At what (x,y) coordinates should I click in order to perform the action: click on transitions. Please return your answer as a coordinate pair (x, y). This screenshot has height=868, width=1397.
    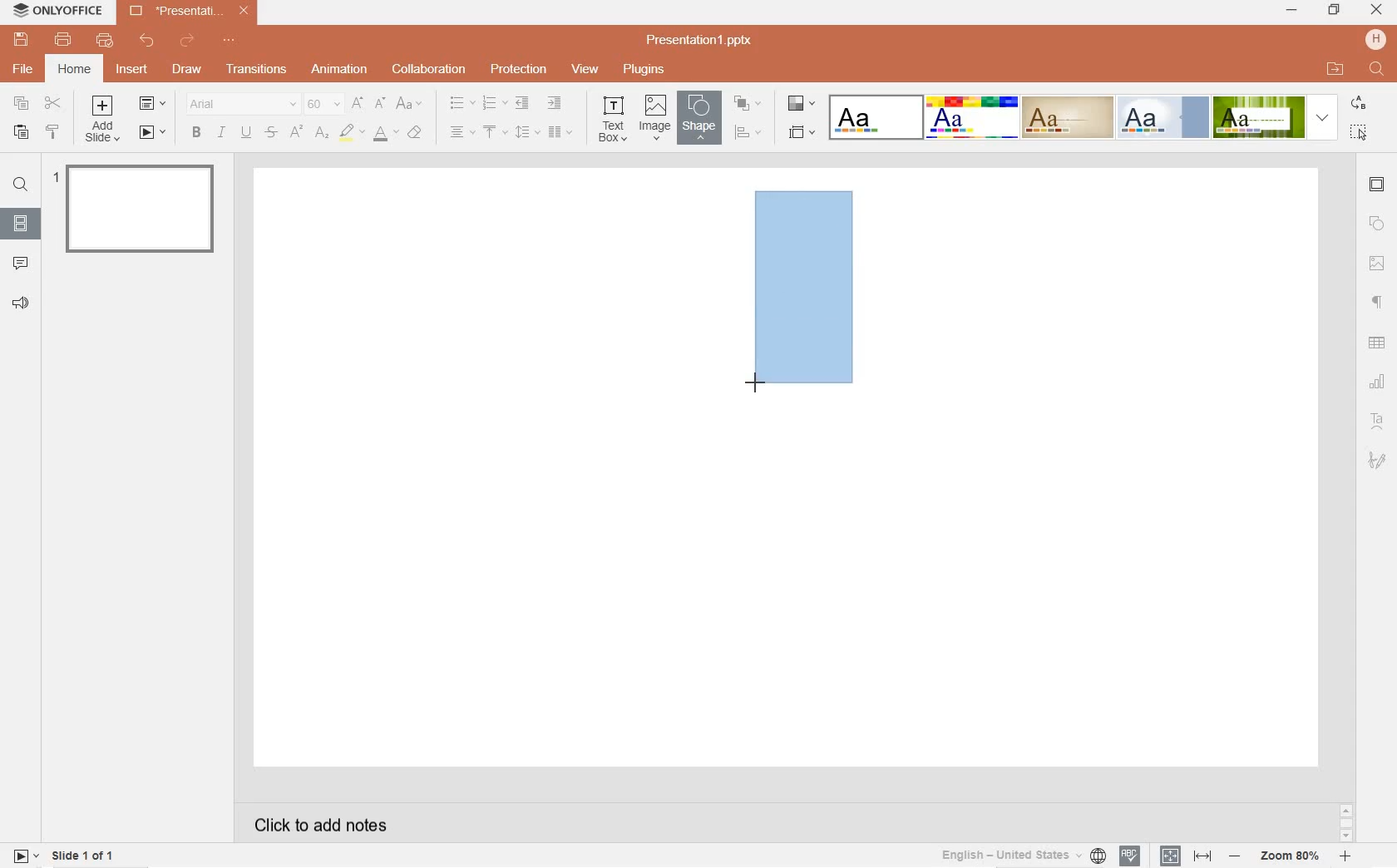
    Looking at the image, I should click on (254, 70).